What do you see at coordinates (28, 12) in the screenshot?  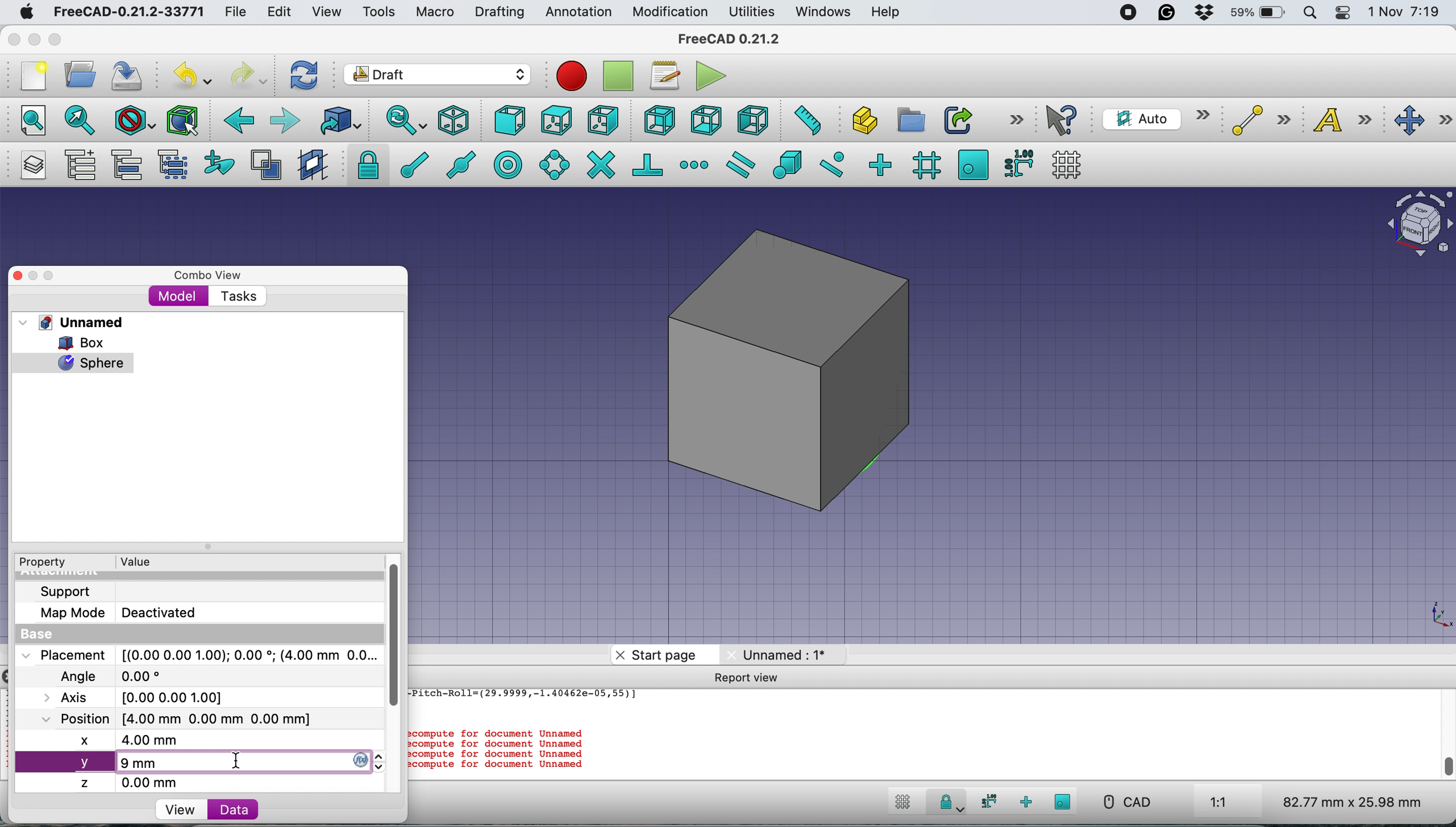 I see `system logo` at bounding box center [28, 12].